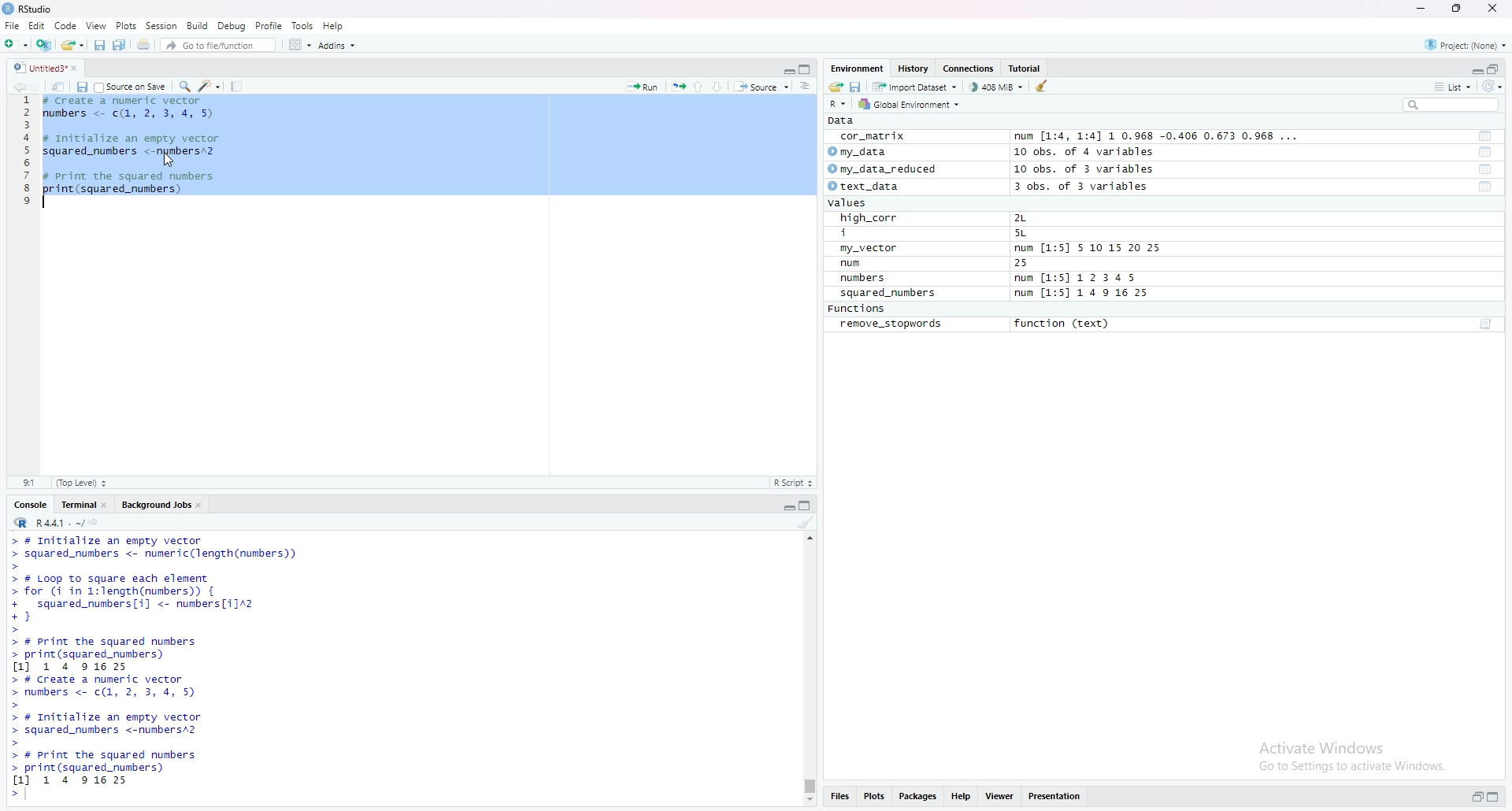 The width and height of the screenshot is (1512, 811). I want to click on function (text), so click(1064, 324).